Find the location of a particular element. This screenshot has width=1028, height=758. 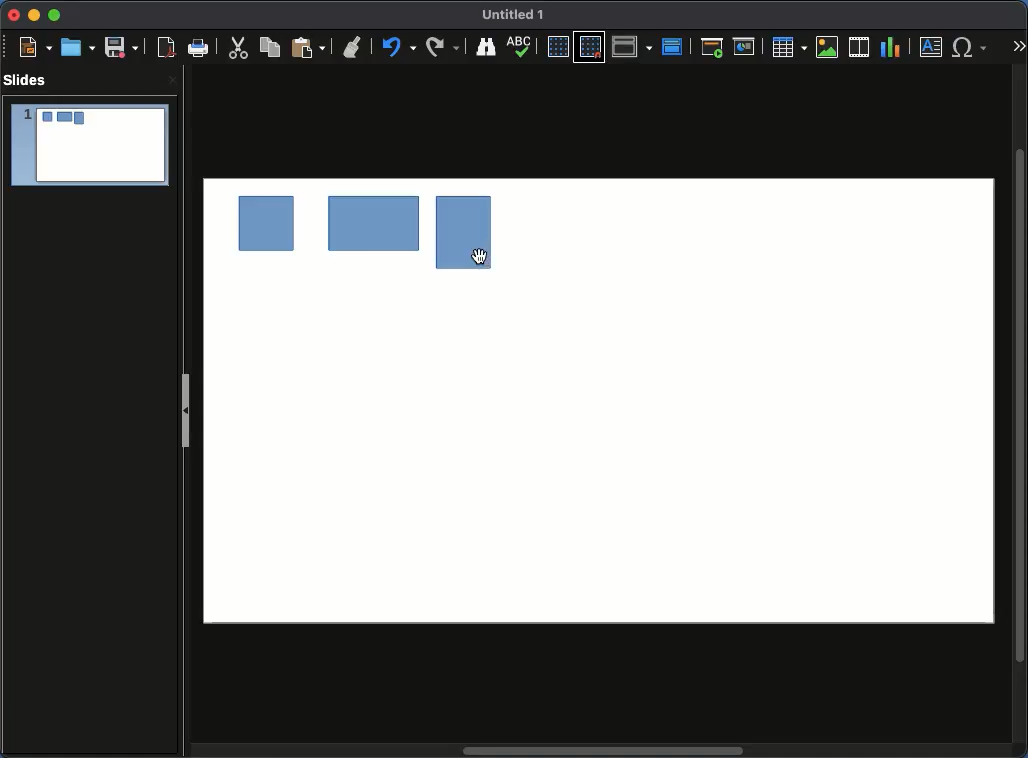

Minimize is located at coordinates (34, 16).